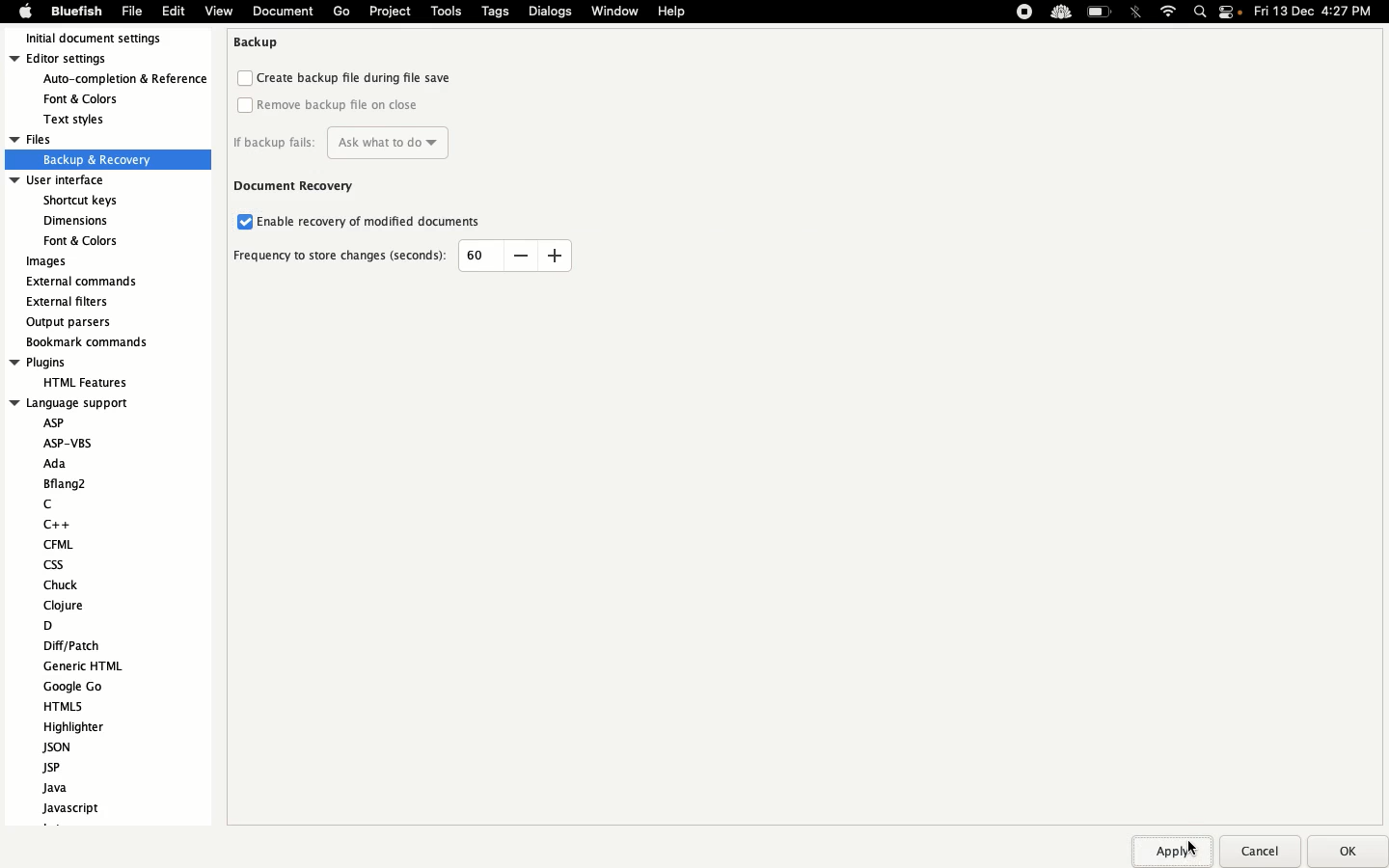  Describe the element at coordinates (84, 613) in the screenshot. I see `Language support` at that location.